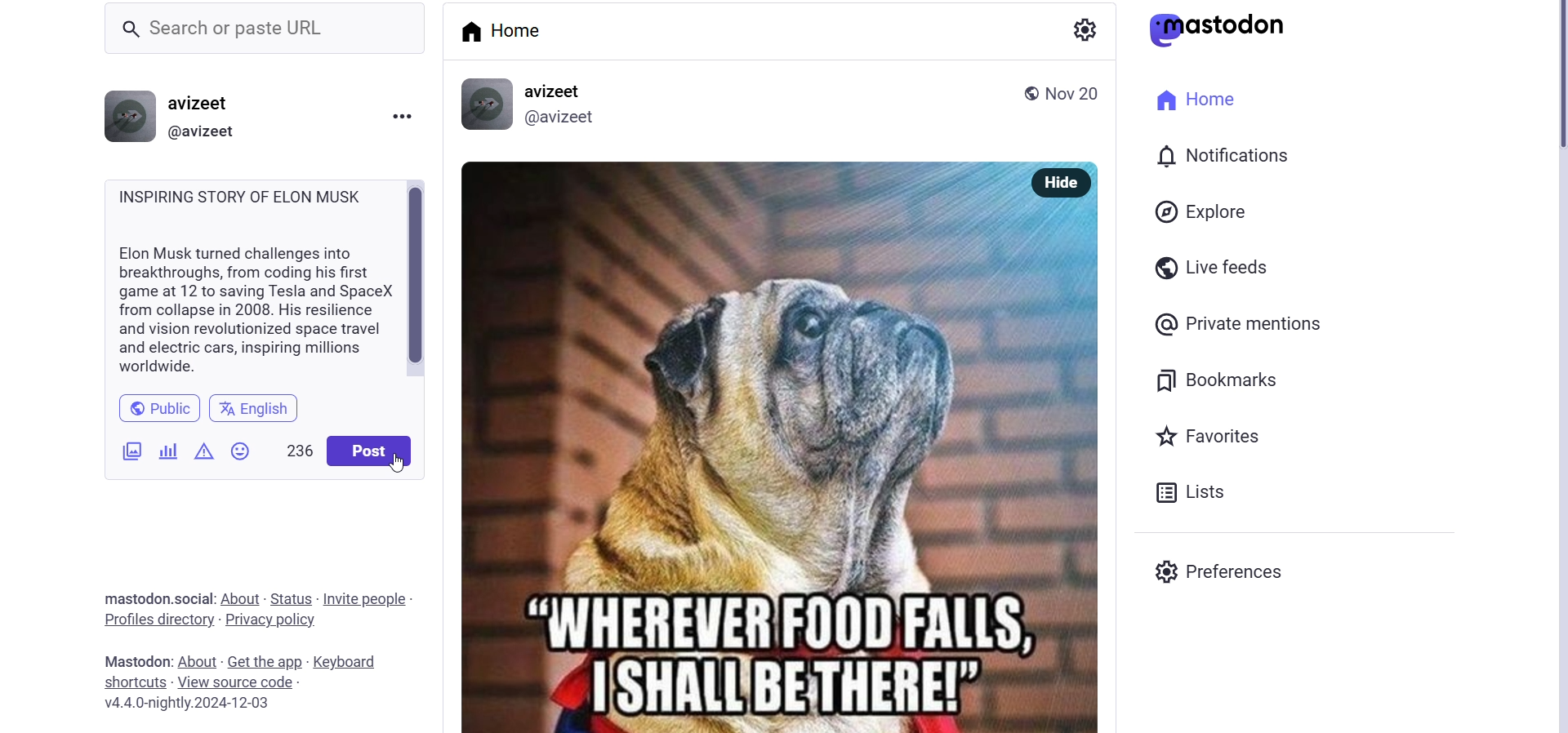 Image resolution: width=1568 pixels, height=733 pixels. Describe the element at coordinates (130, 113) in the screenshot. I see `profile picture` at that location.